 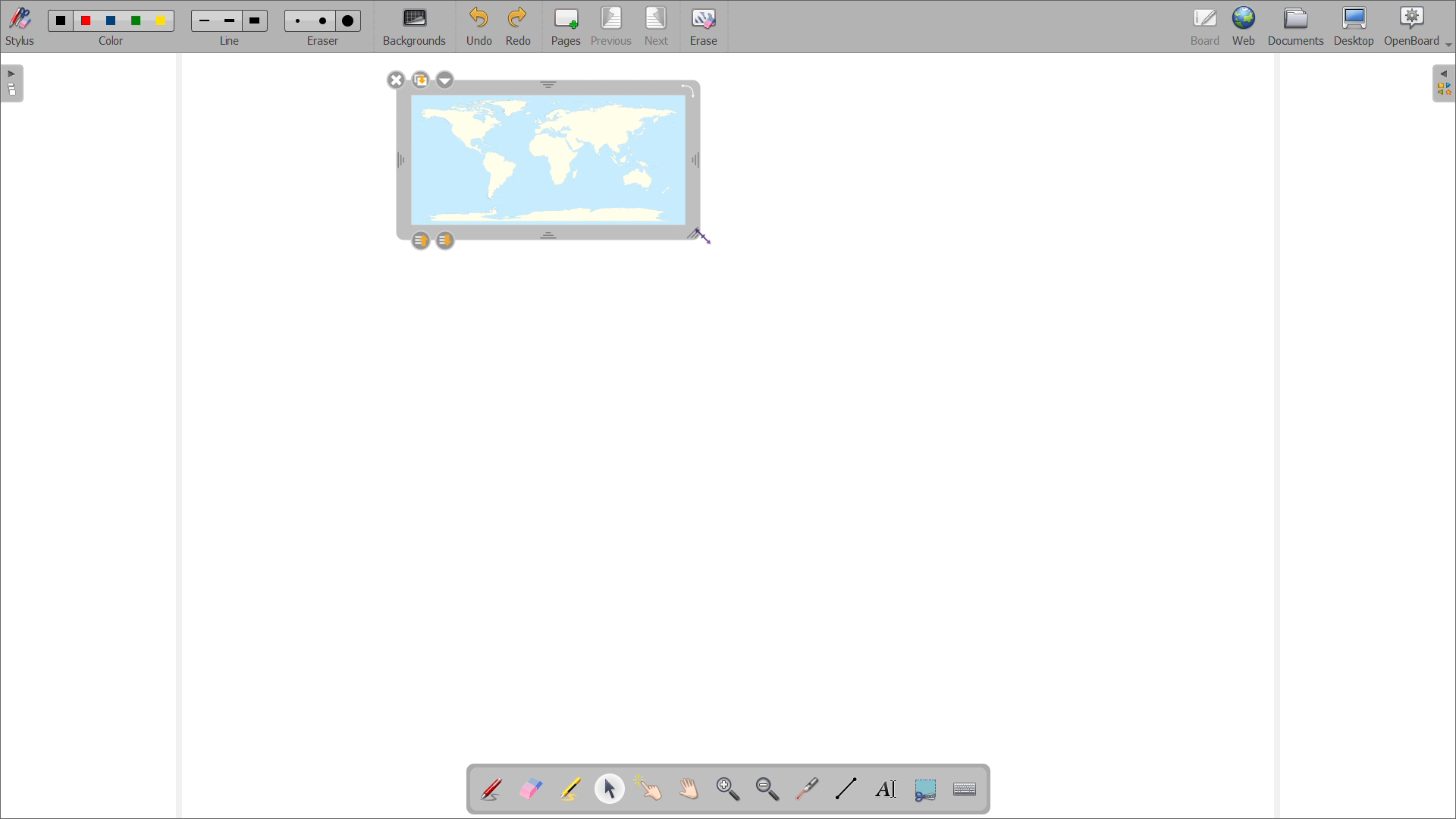 What do you see at coordinates (1246, 27) in the screenshot?
I see `web` at bounding box center [1246, 27].